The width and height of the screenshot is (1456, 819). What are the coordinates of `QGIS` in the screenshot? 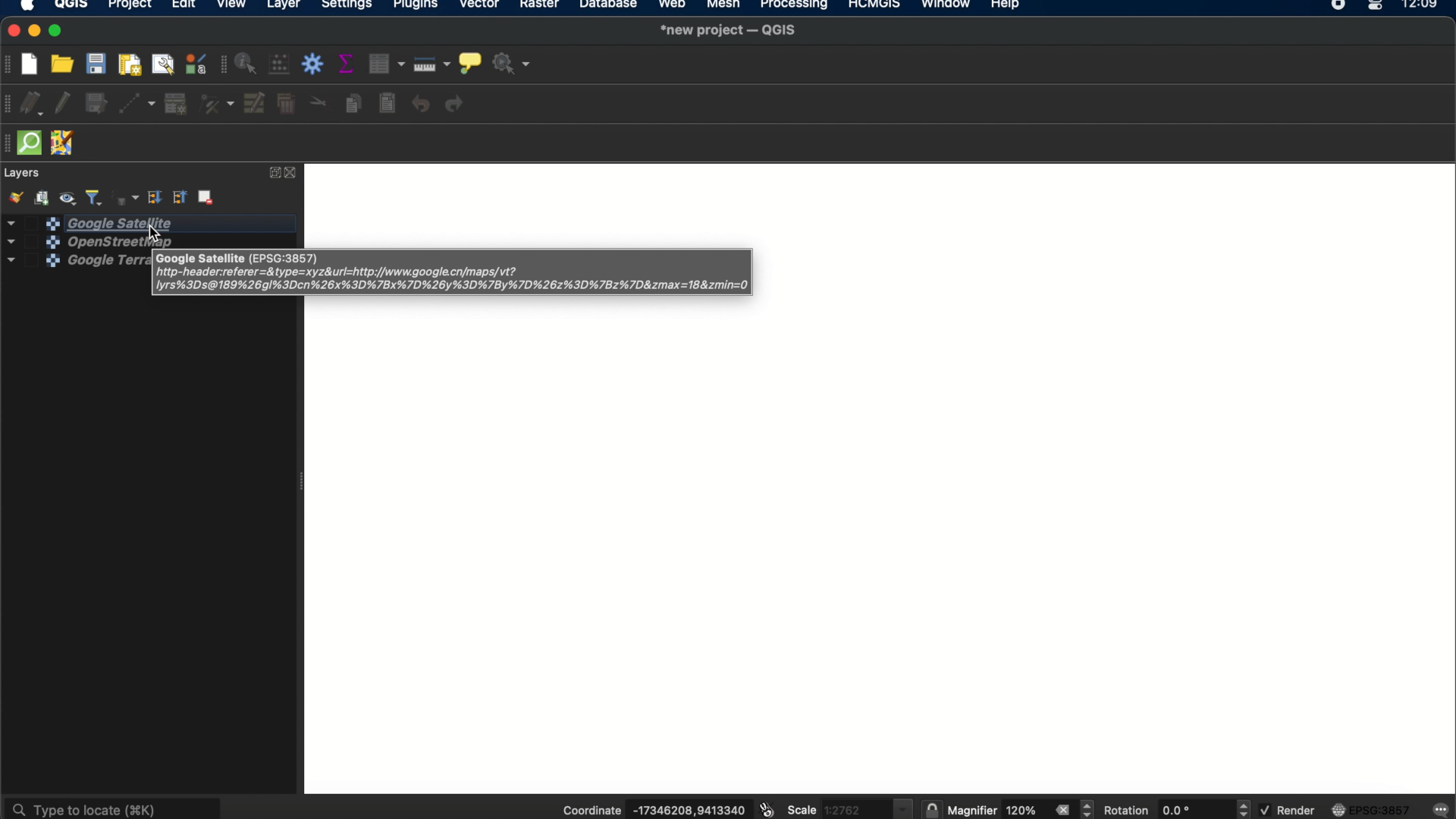 It's located at (71, 6).